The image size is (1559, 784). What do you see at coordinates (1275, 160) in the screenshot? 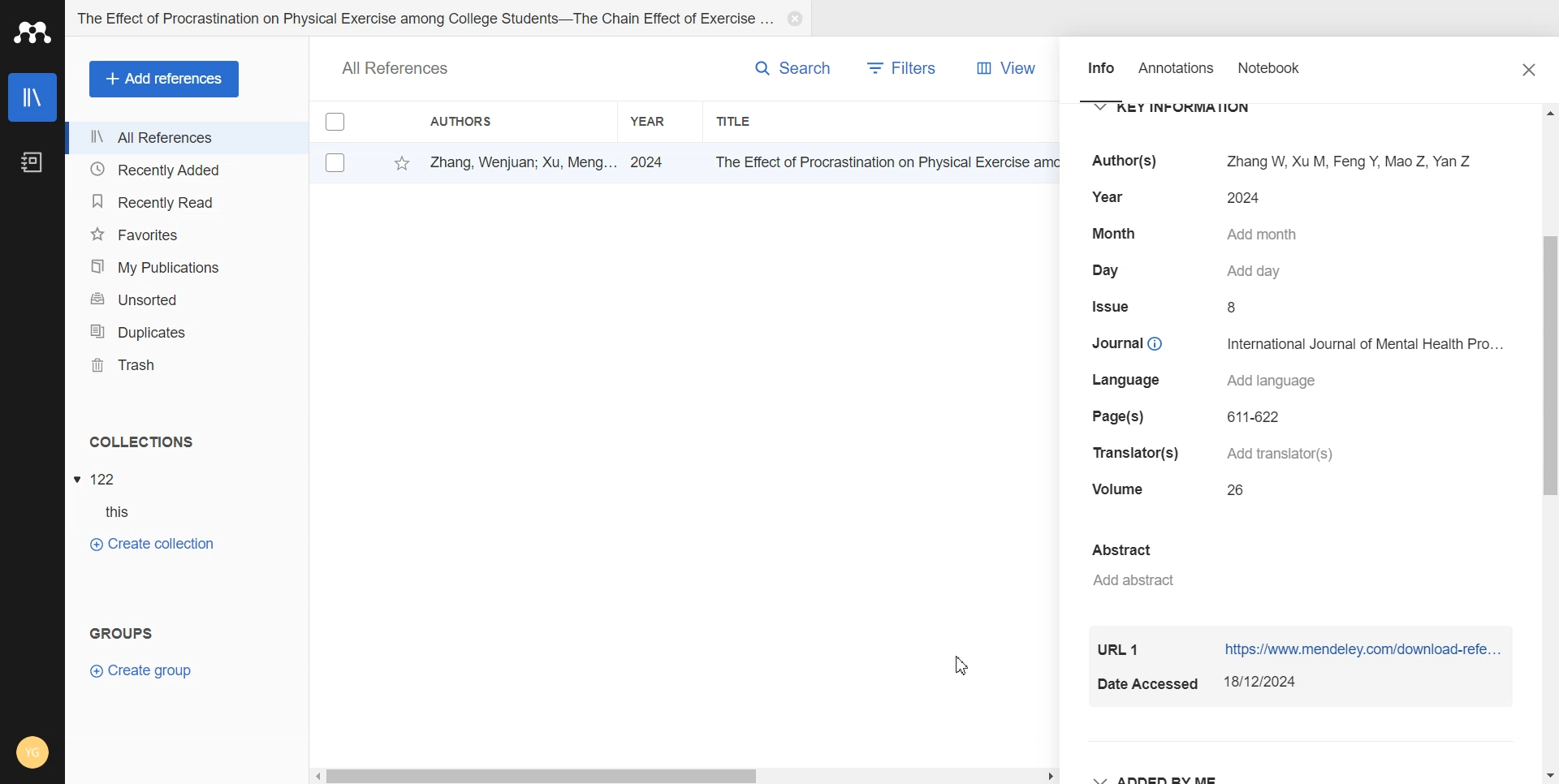
I see `Author(s) Zhang W, XuM, FengY, Mao Z, Yan Z` at bounding box center [1275, 160].